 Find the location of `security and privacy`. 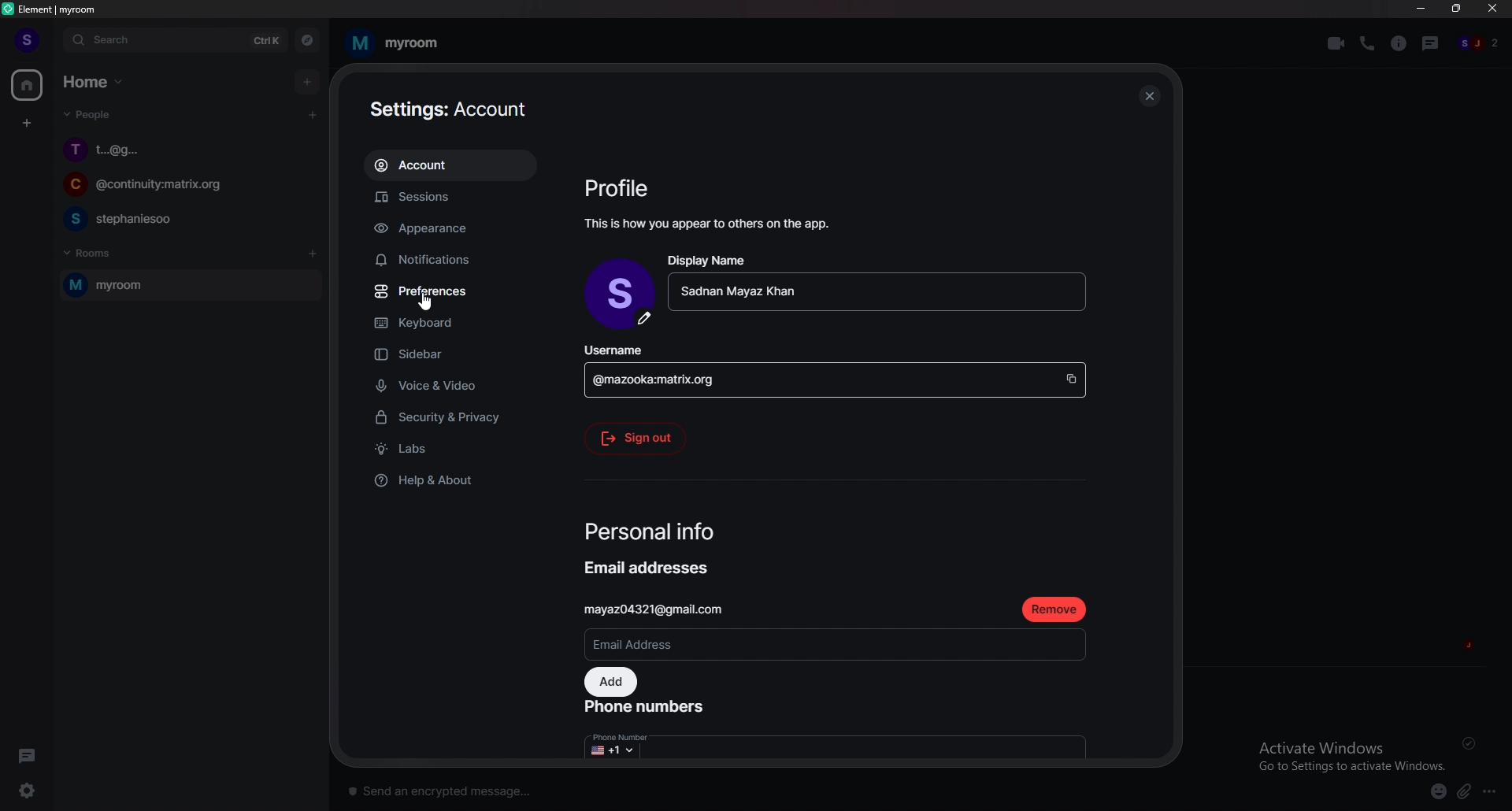

security and privacy is located at coordinates (451, 419).